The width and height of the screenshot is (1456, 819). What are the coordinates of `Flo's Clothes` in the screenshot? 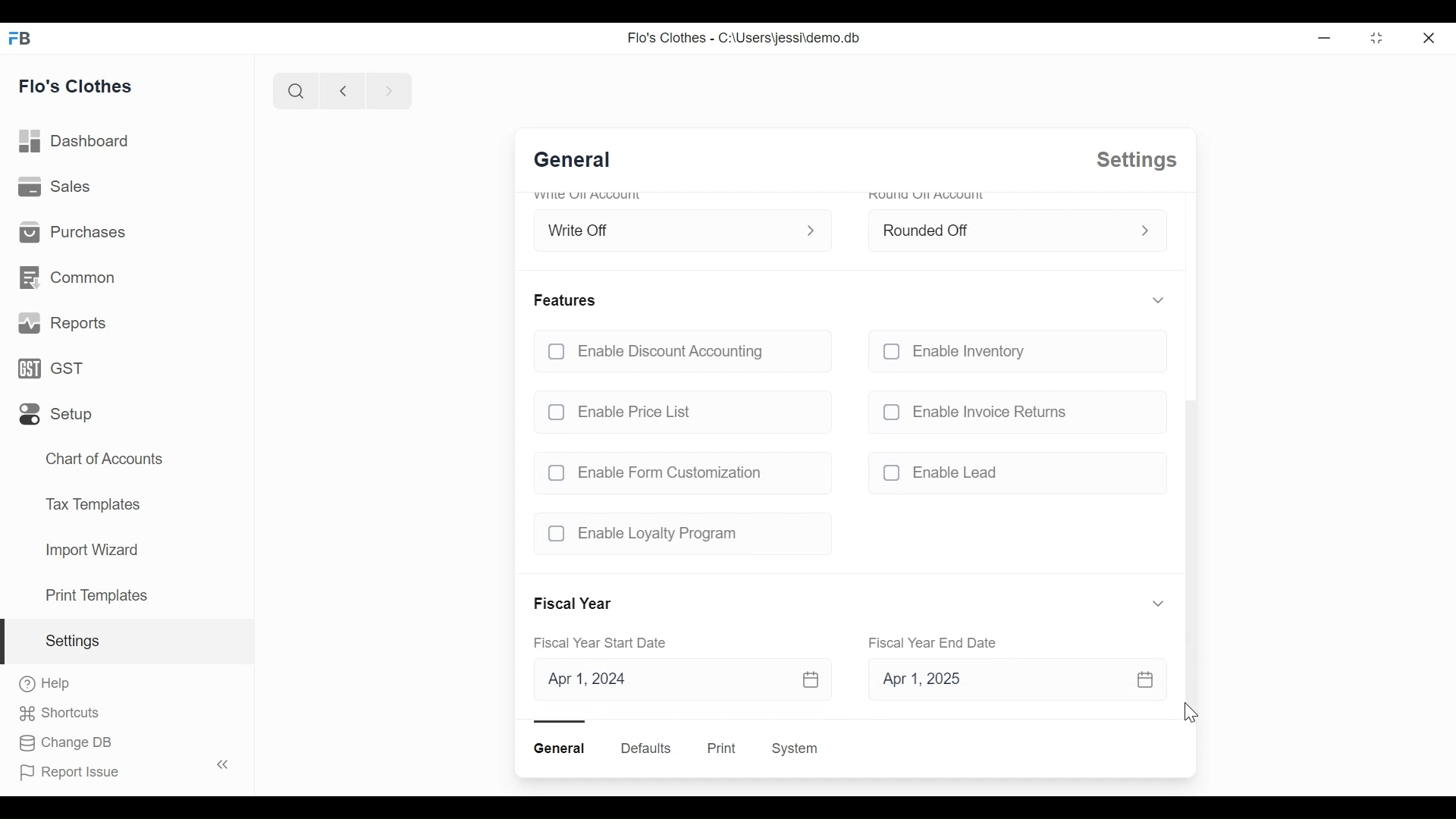 It's located at (76, 84).